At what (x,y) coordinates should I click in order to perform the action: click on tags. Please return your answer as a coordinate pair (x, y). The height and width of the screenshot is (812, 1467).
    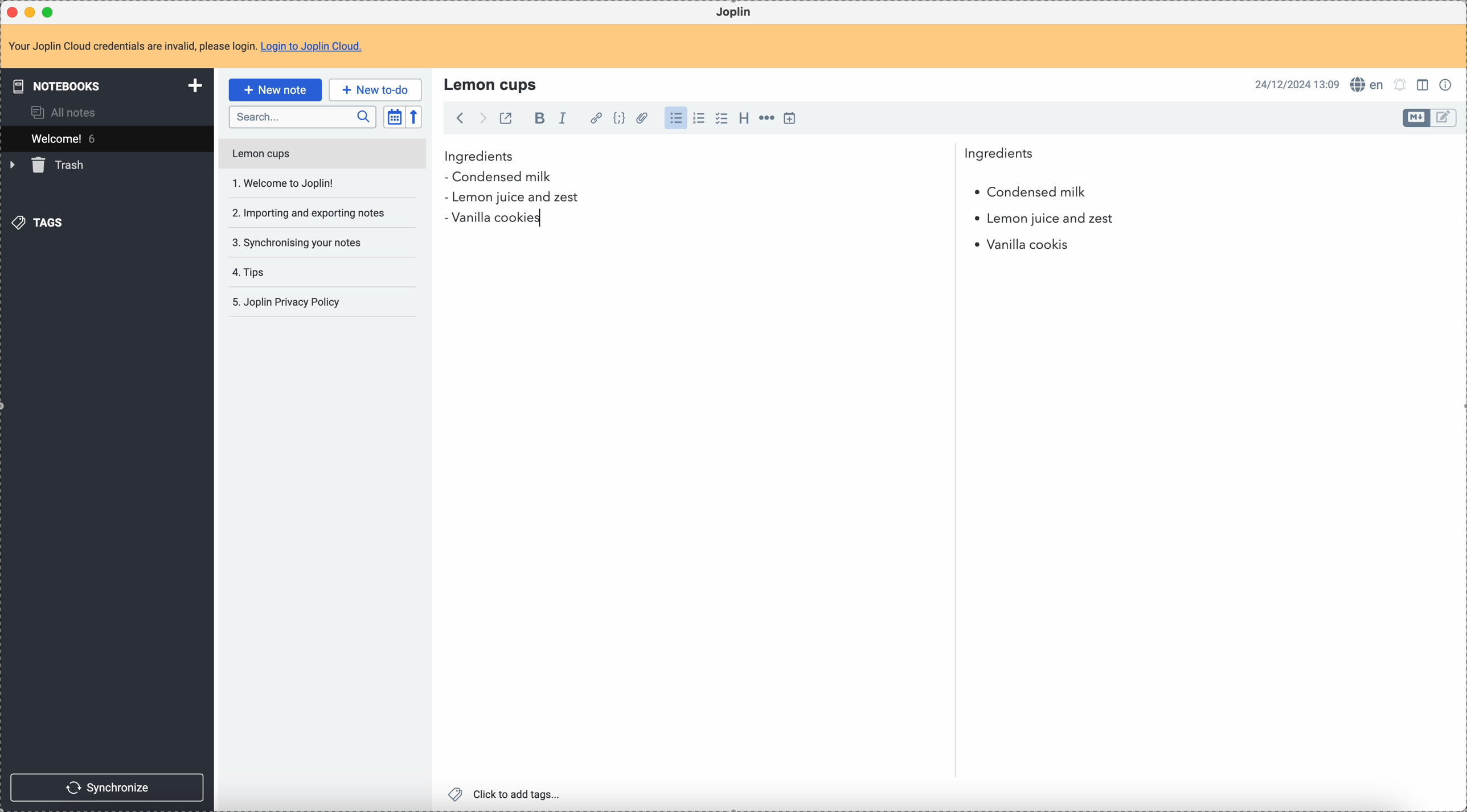
    Looking at the image, I should click on (40, 222).